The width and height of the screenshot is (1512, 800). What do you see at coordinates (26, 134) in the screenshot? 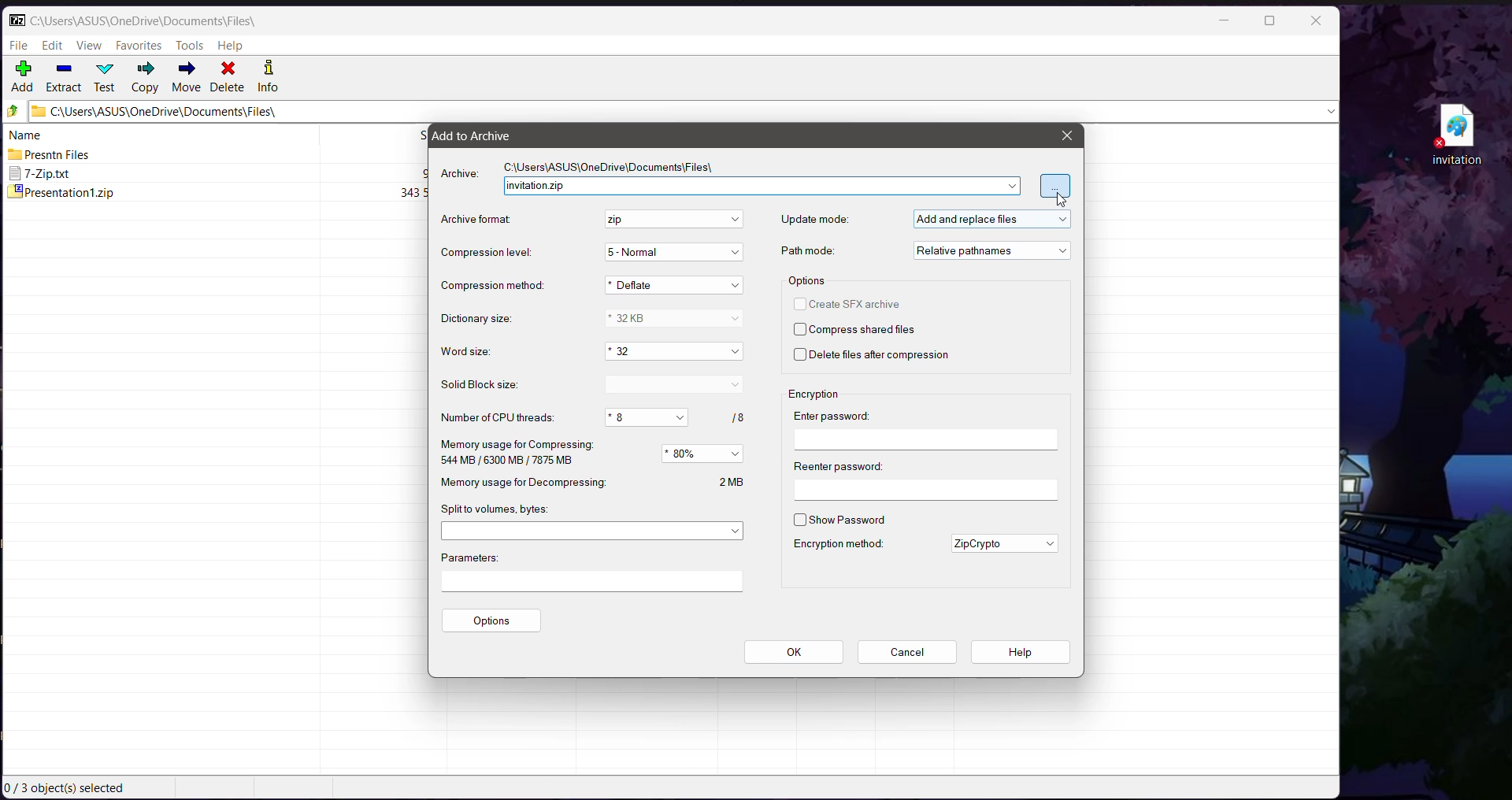
I see `name` at bounding box center [26, 134].